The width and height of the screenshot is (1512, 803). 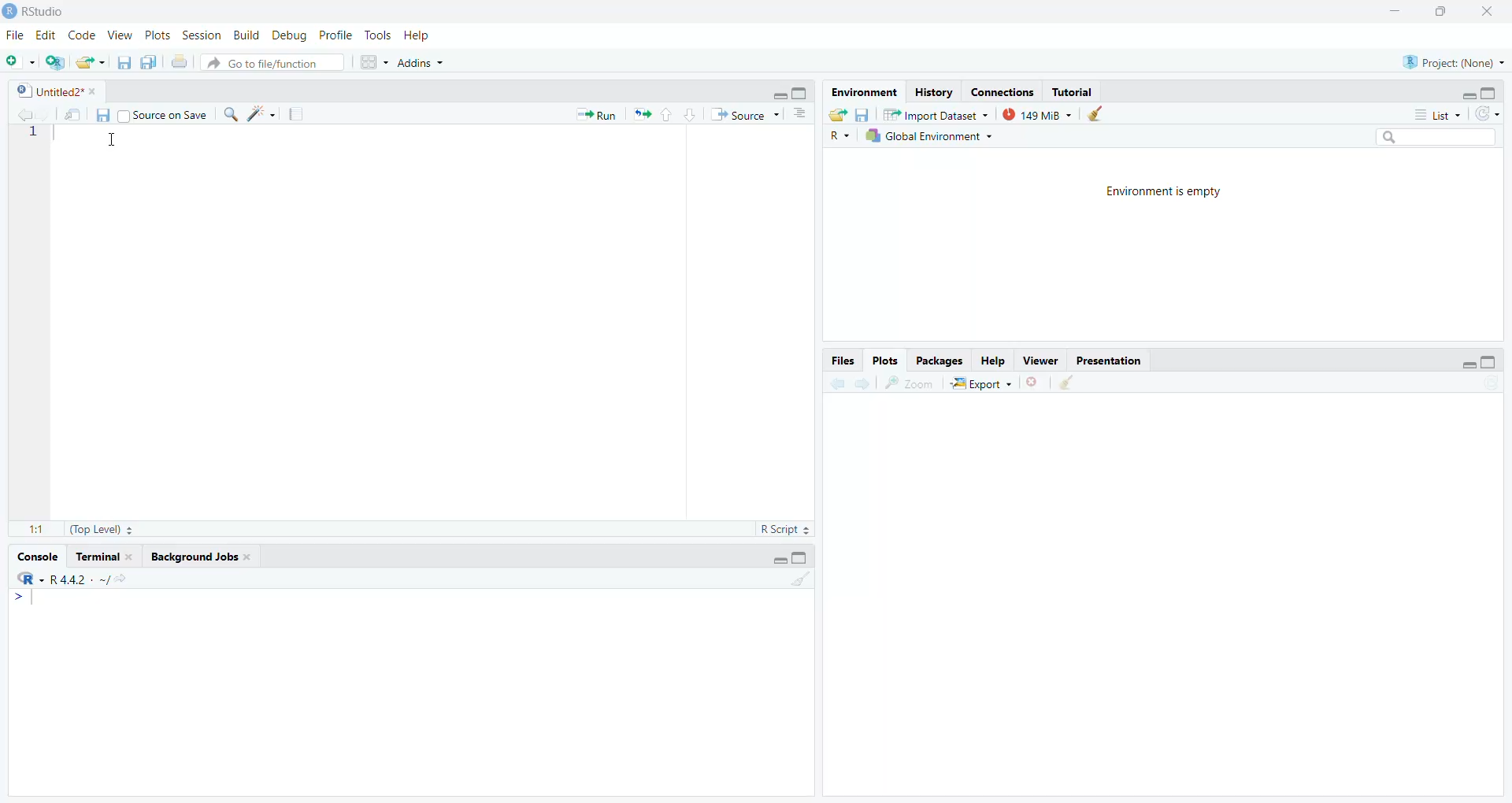 I want to click on Clear console (Ctrl +L), so click(x=1068, y=385).